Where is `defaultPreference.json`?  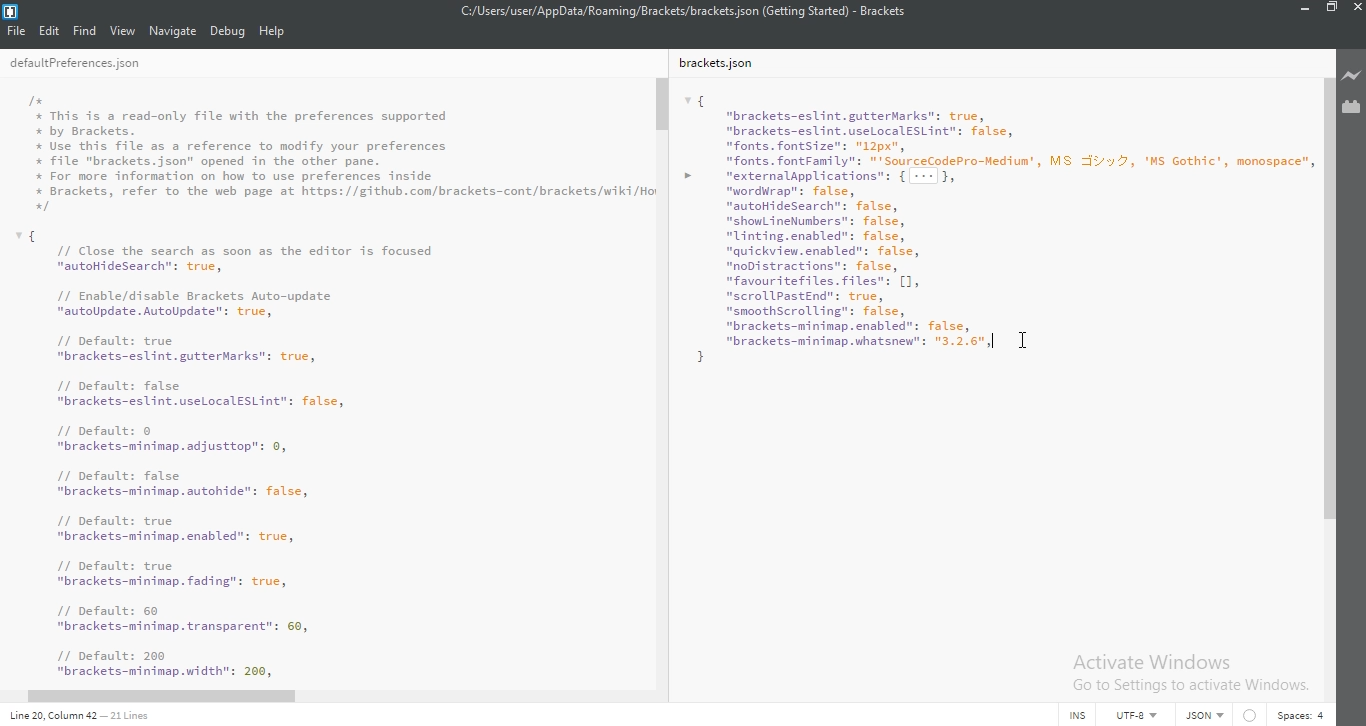
defaultPreference.json is located at coordinates (98, 64).